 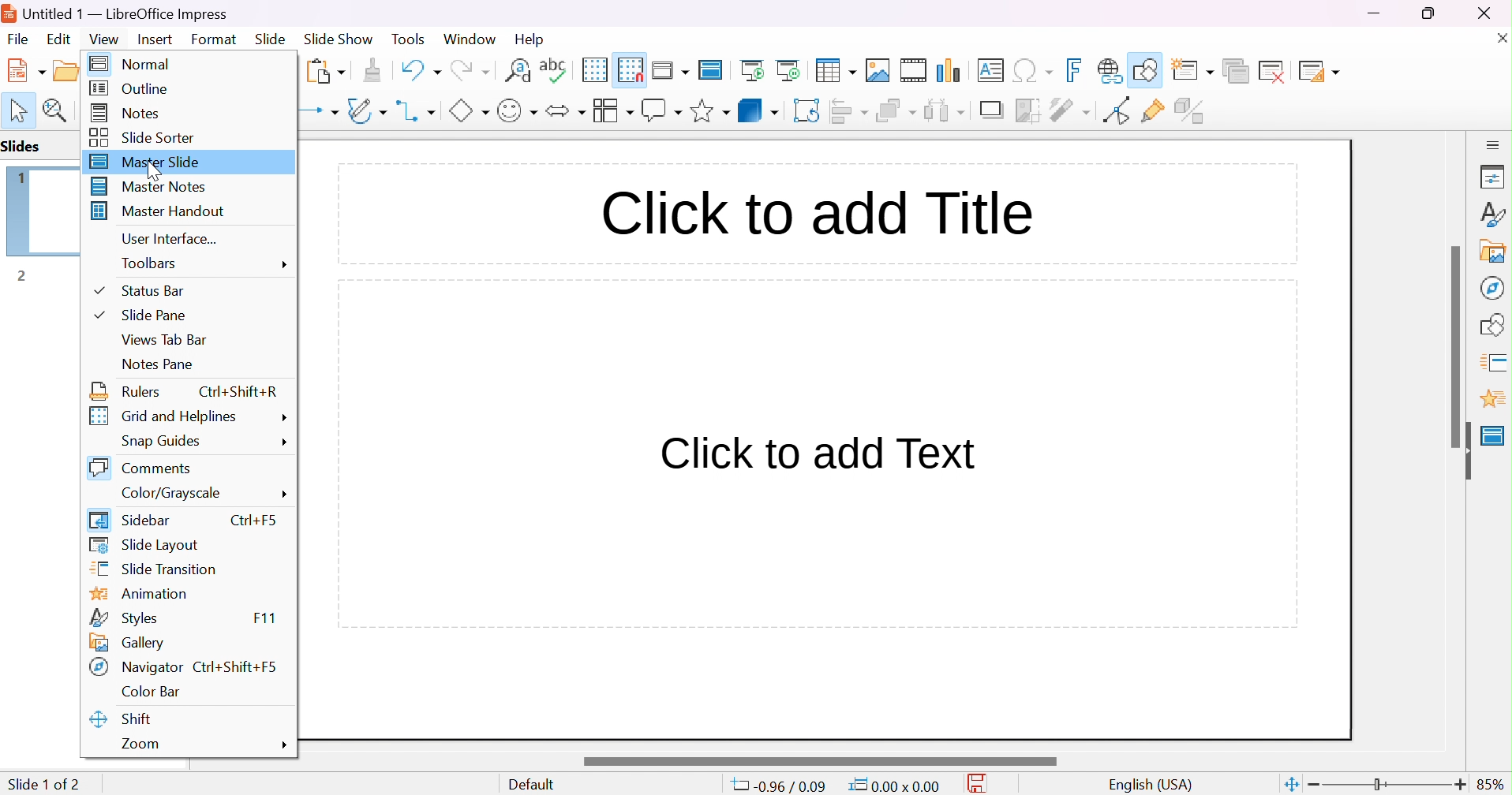 I want to click on zoom & pan, so click(x=58, y=110).